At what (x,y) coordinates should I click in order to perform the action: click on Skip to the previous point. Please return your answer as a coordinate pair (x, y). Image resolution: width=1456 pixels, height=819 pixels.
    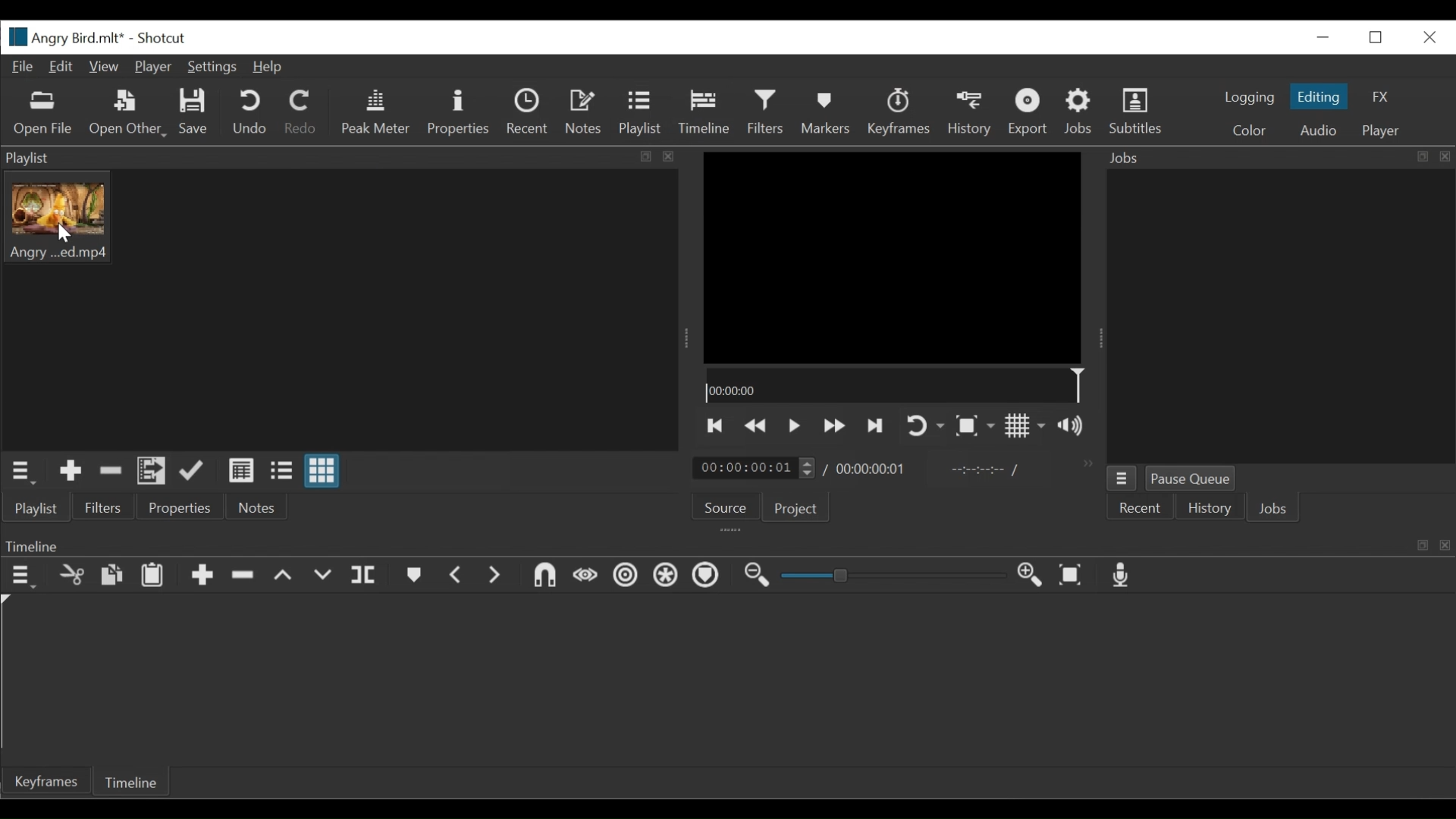
    Looking at the image, I should click on (717, 426).